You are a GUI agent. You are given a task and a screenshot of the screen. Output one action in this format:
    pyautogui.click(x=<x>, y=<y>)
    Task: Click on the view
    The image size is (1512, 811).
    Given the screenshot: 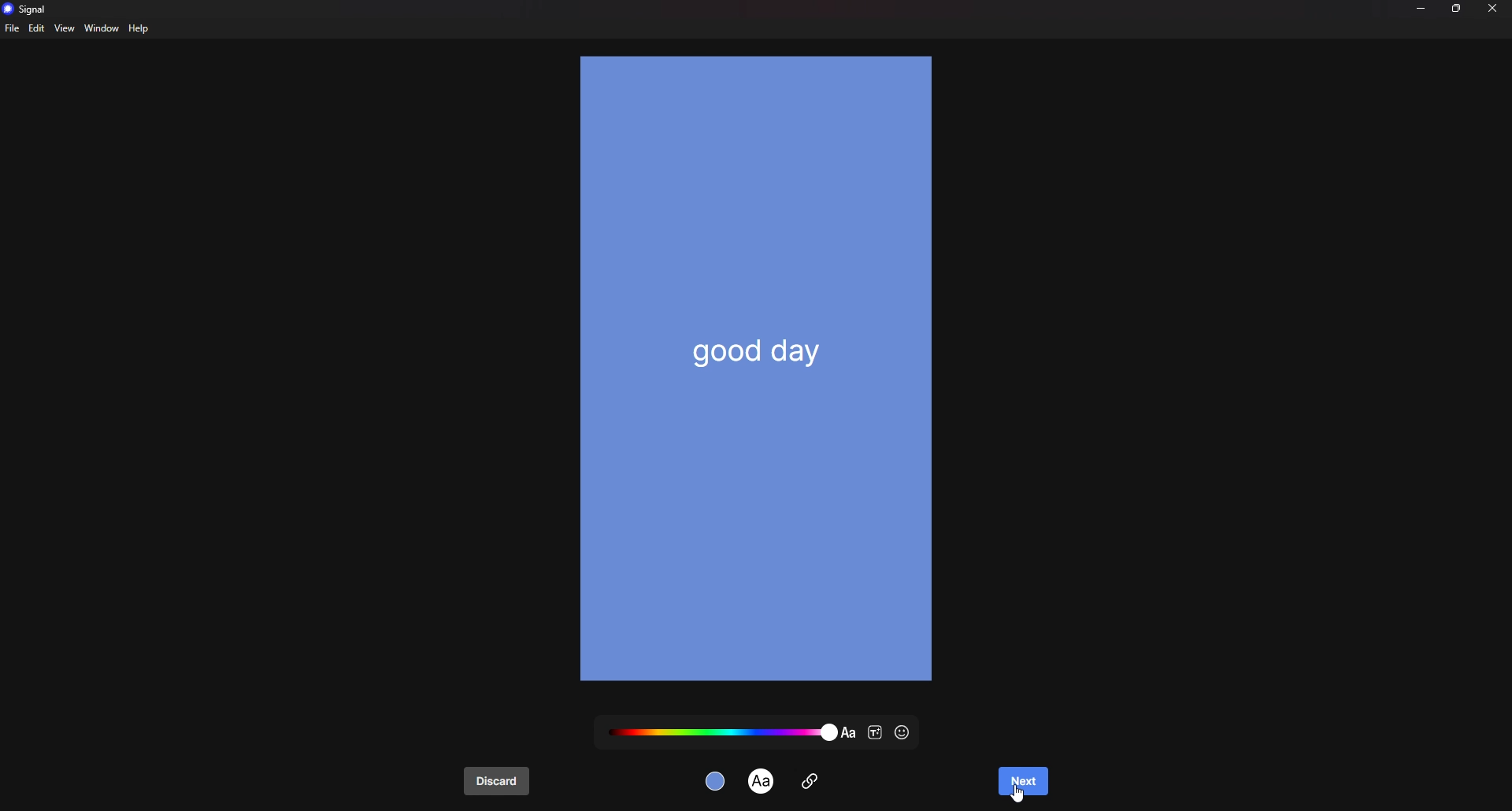 What is the action you would take?
    pyautogui.click(x=64, y=28)
    